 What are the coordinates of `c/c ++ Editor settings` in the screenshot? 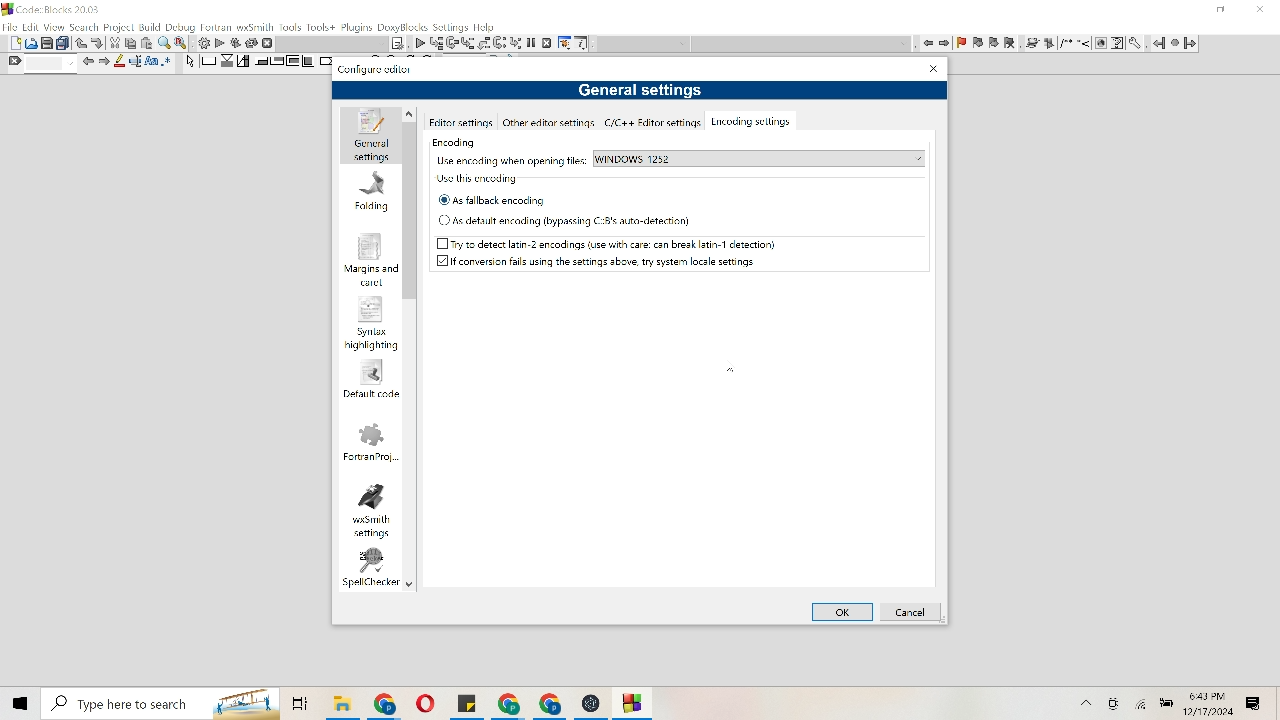 It's located at (652, 122).